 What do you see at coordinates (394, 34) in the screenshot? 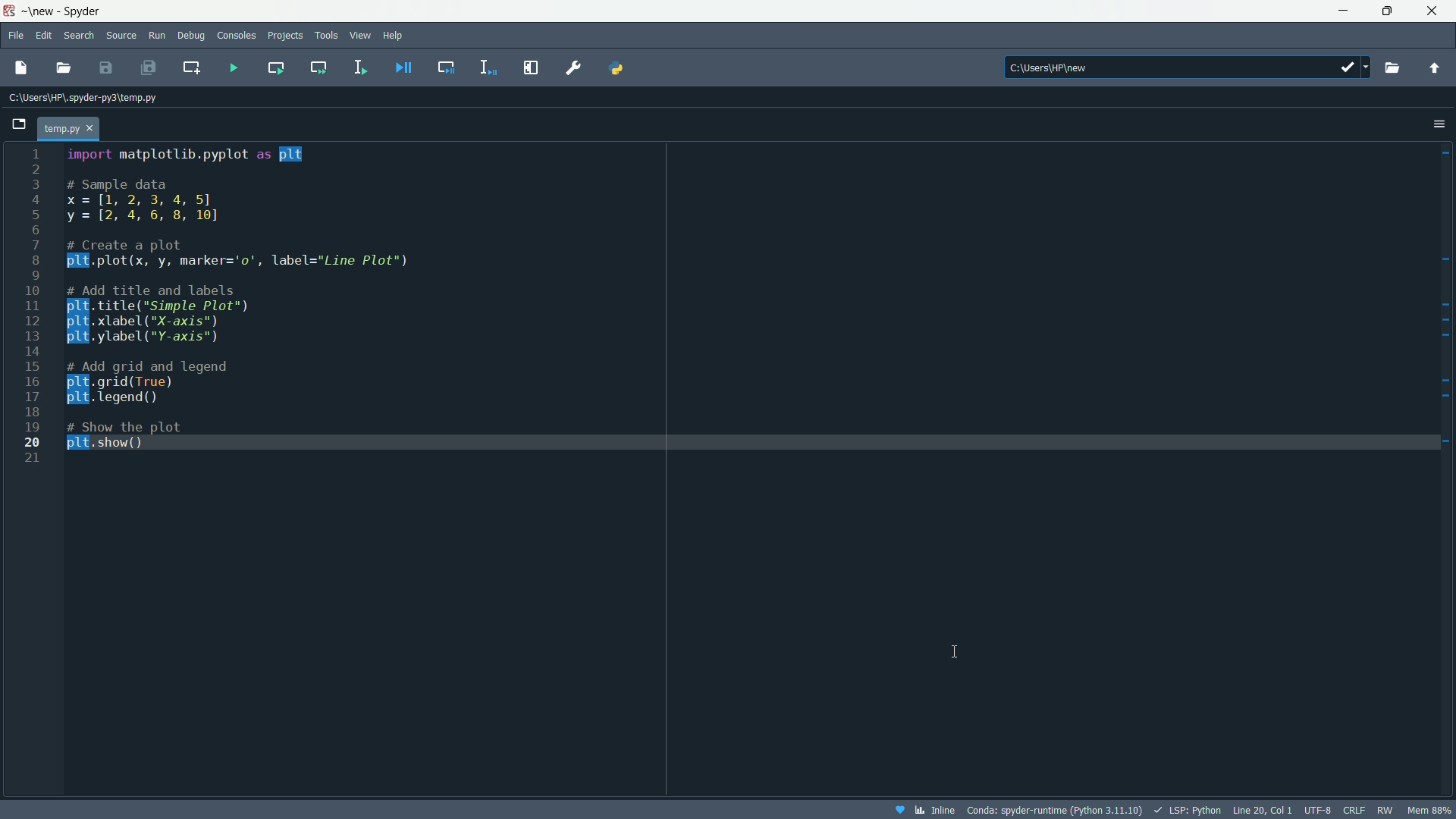
I see `help` at bounding box center [394, 34].